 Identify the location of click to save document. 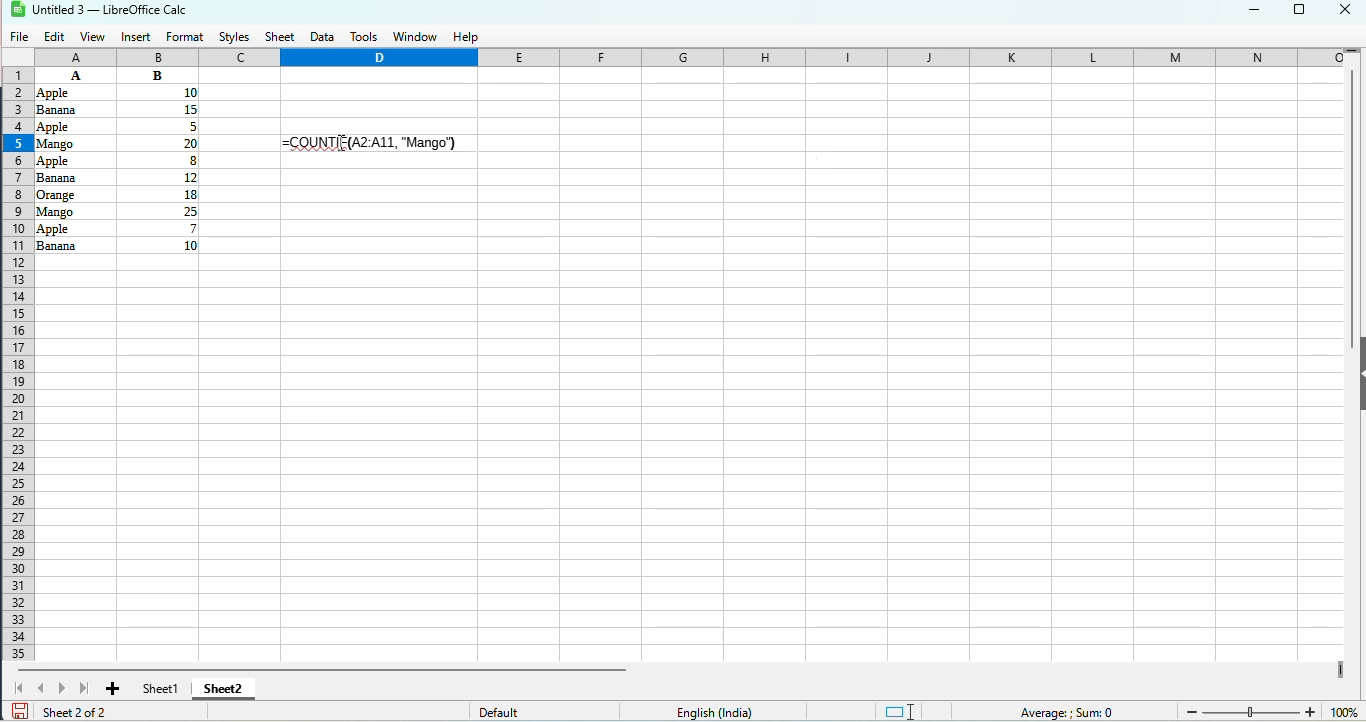
(20, 712).